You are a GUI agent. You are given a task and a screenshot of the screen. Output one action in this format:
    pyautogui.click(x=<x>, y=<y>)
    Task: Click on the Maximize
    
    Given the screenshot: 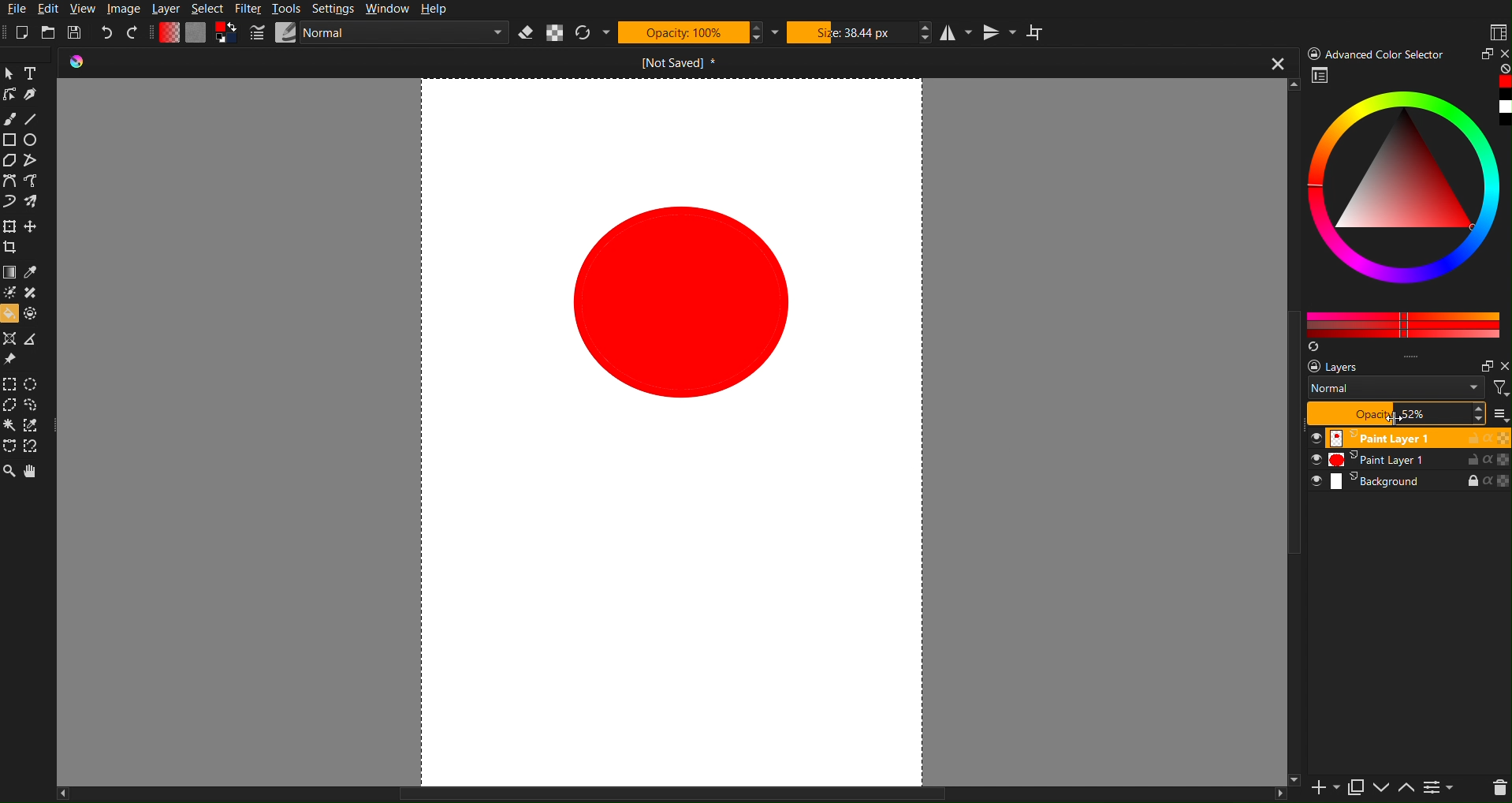 What is the action you would take?
    pyautogui.click(x=1484, y=54)
    